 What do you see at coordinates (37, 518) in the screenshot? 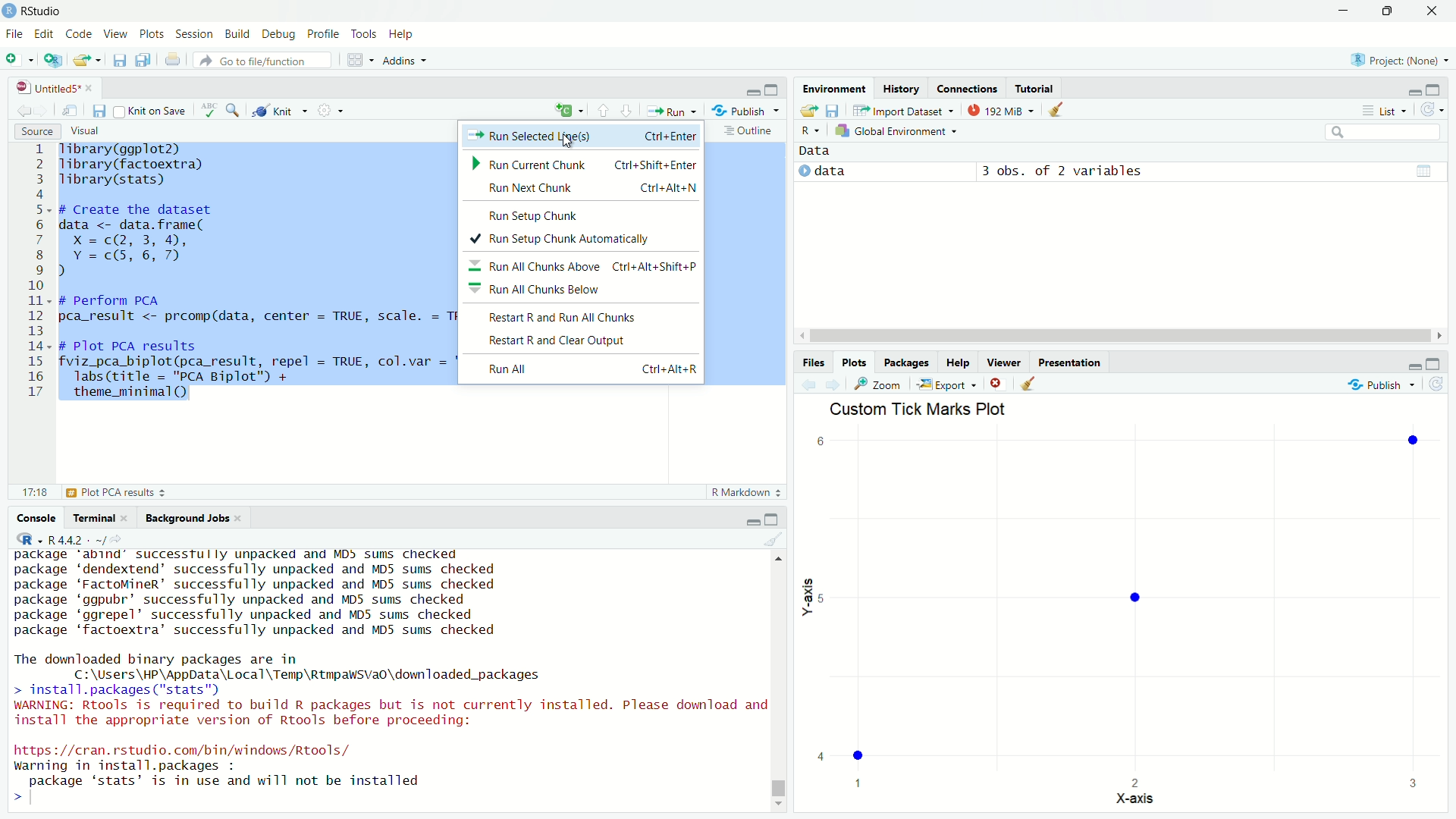
I see `console` at bounding box center [37, 518].